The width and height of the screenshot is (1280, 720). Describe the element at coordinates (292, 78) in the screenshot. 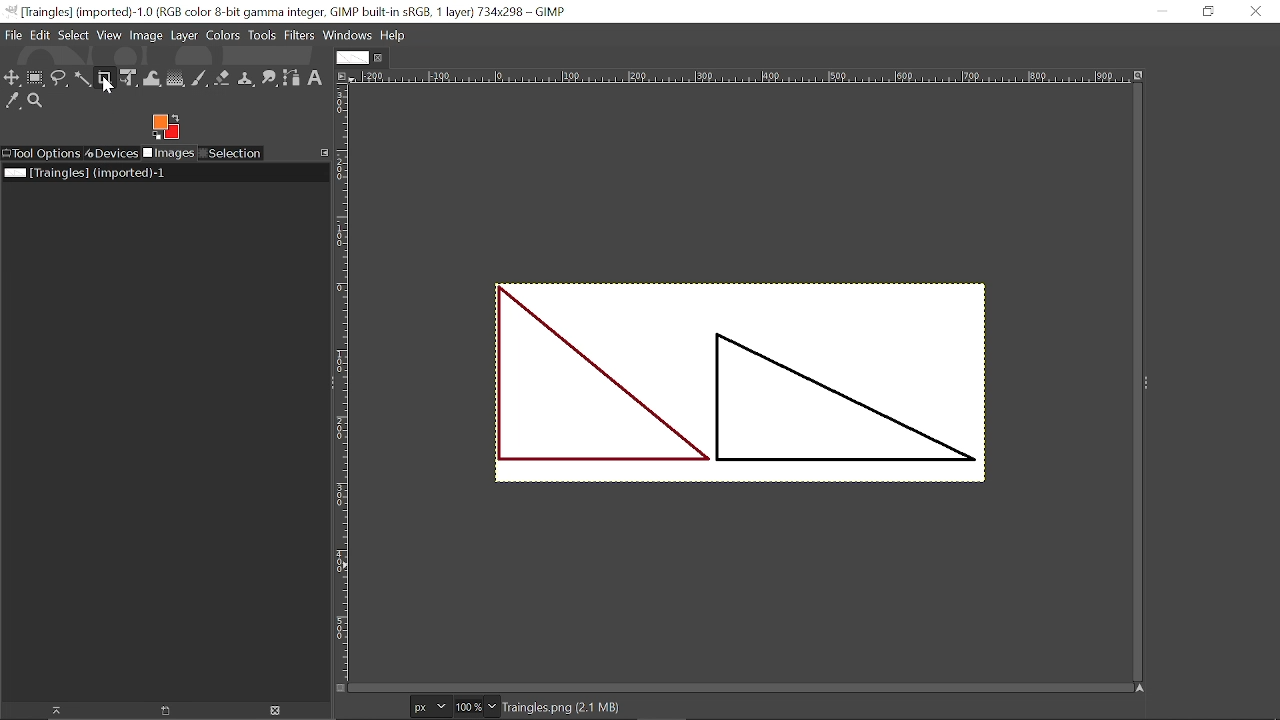

I see `Paths tool` at that location.